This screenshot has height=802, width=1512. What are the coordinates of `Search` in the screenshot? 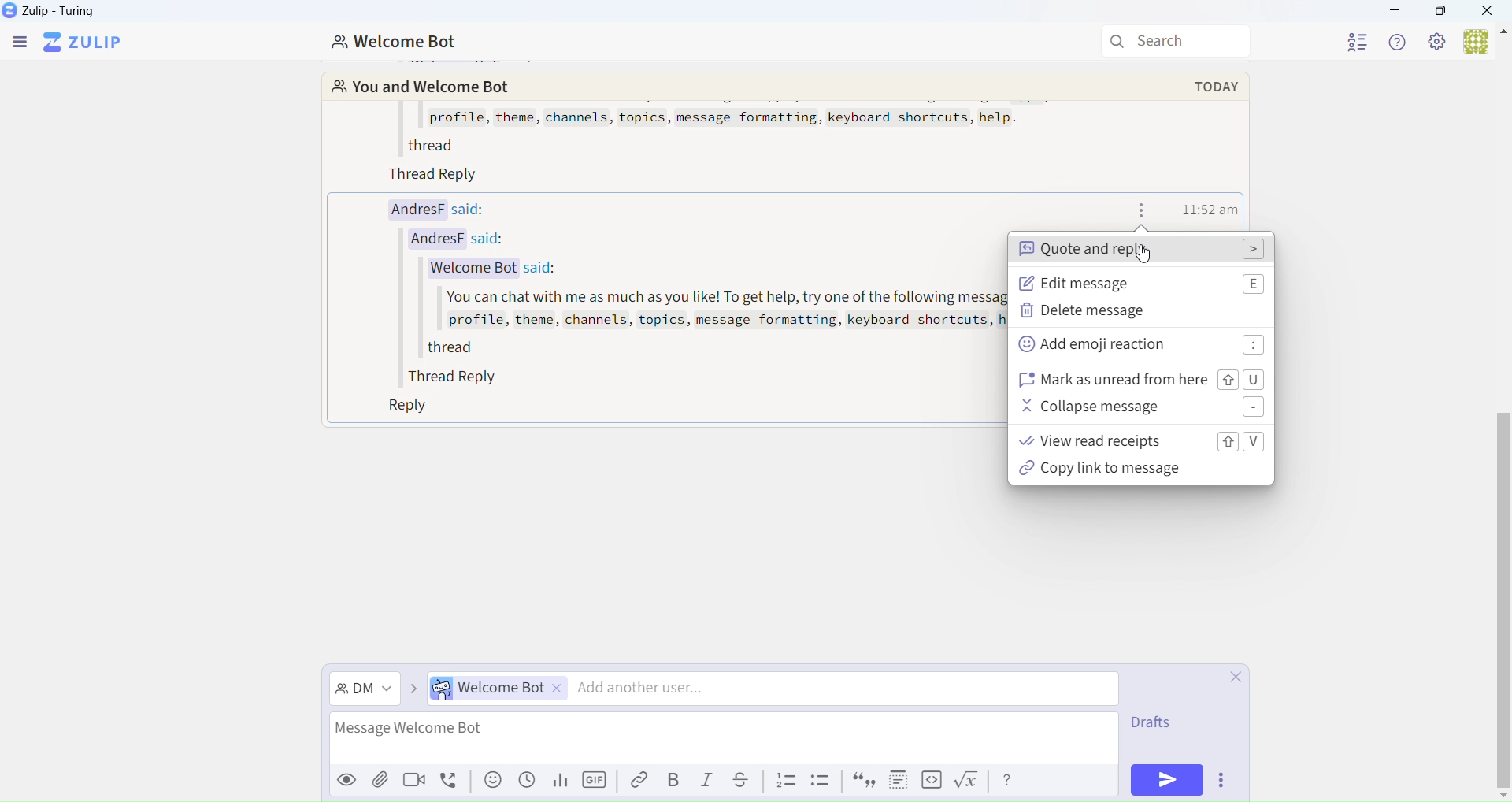 It's located at (1177, 39).